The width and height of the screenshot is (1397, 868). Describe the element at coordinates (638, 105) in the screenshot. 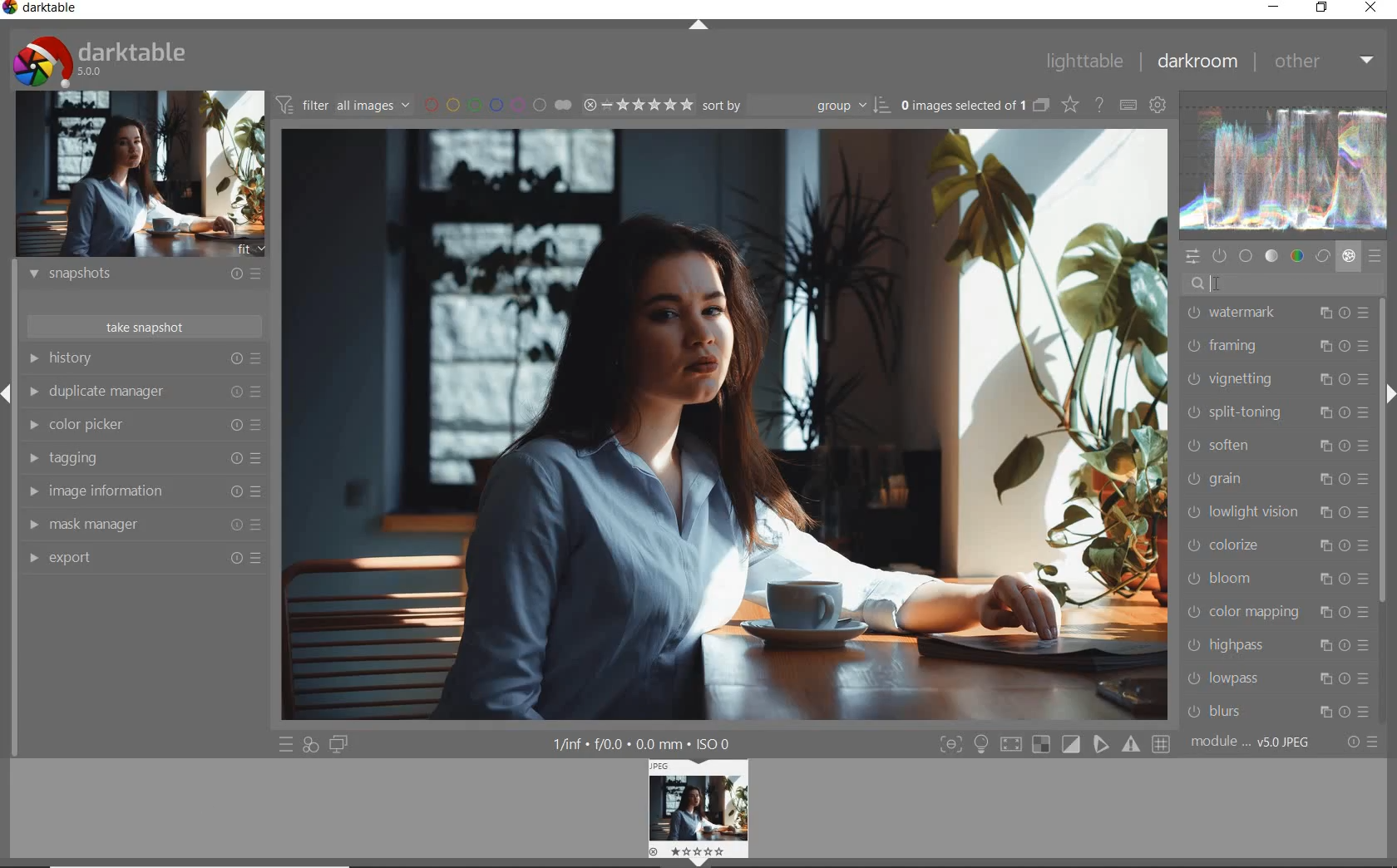

I see `range rating of selected images` at that location.